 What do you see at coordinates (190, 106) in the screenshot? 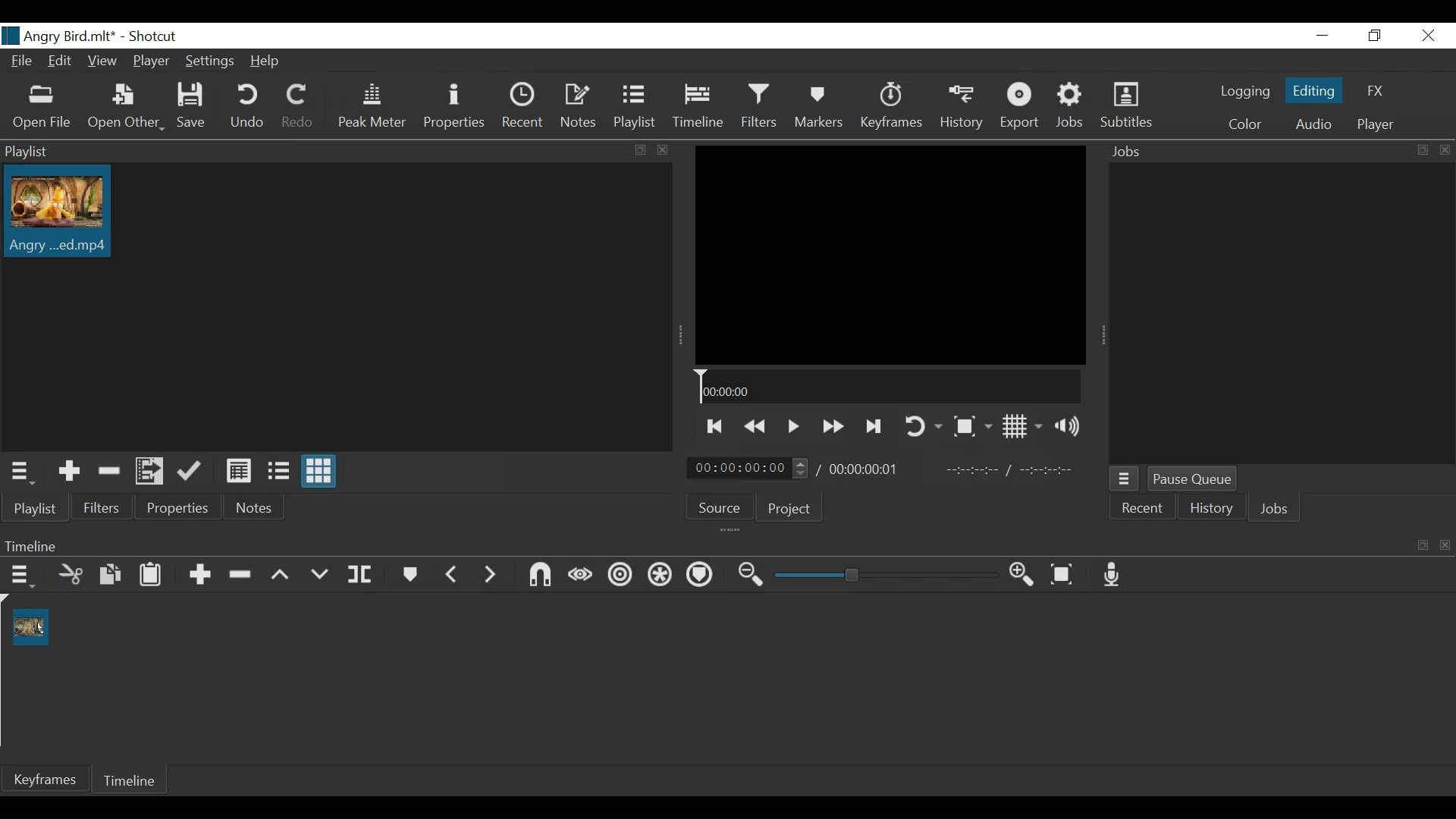
I see `Save` at bounding box center [190, 106].